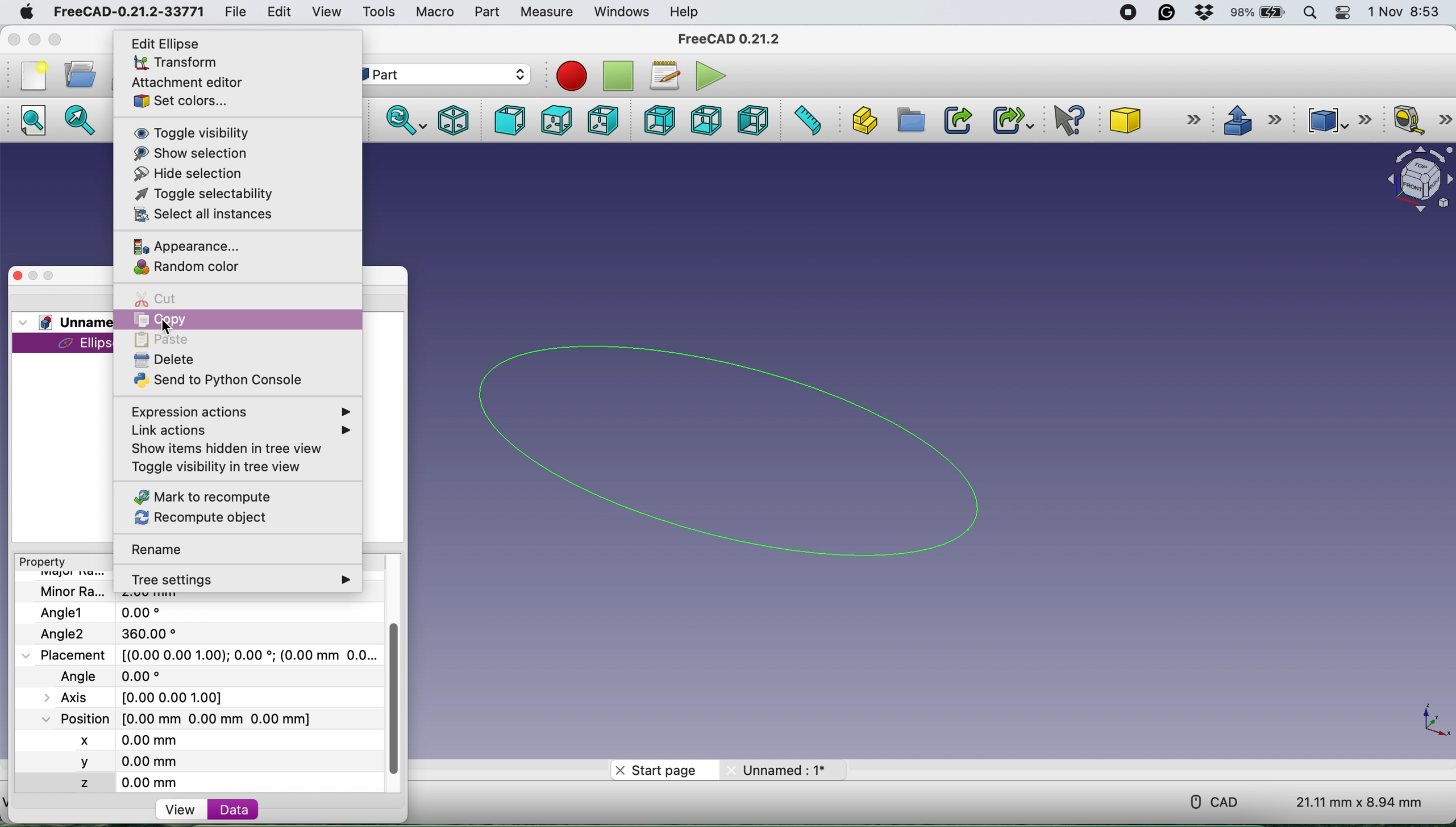  What do you see at coordinates (103, 612) in the screenshot?
I see `Angle1` at bounding box center [103, 612].